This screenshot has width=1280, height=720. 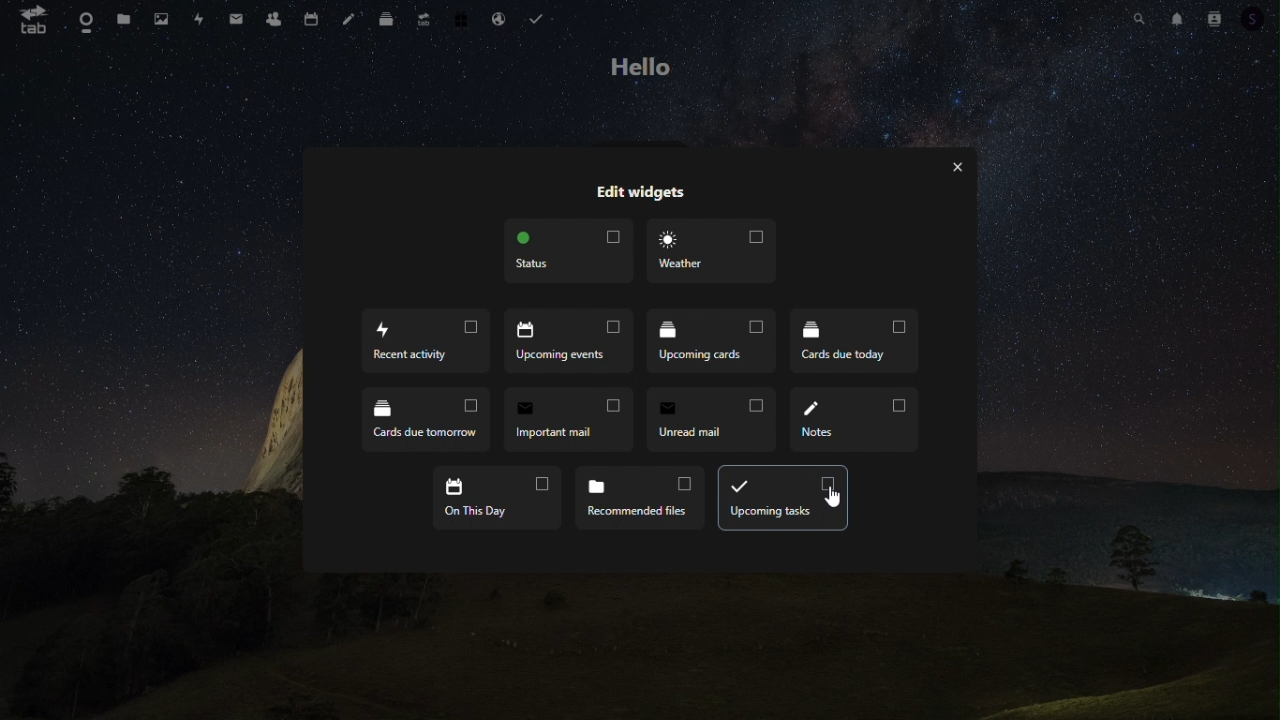 I want to click on close, so click(x=956, y=164).